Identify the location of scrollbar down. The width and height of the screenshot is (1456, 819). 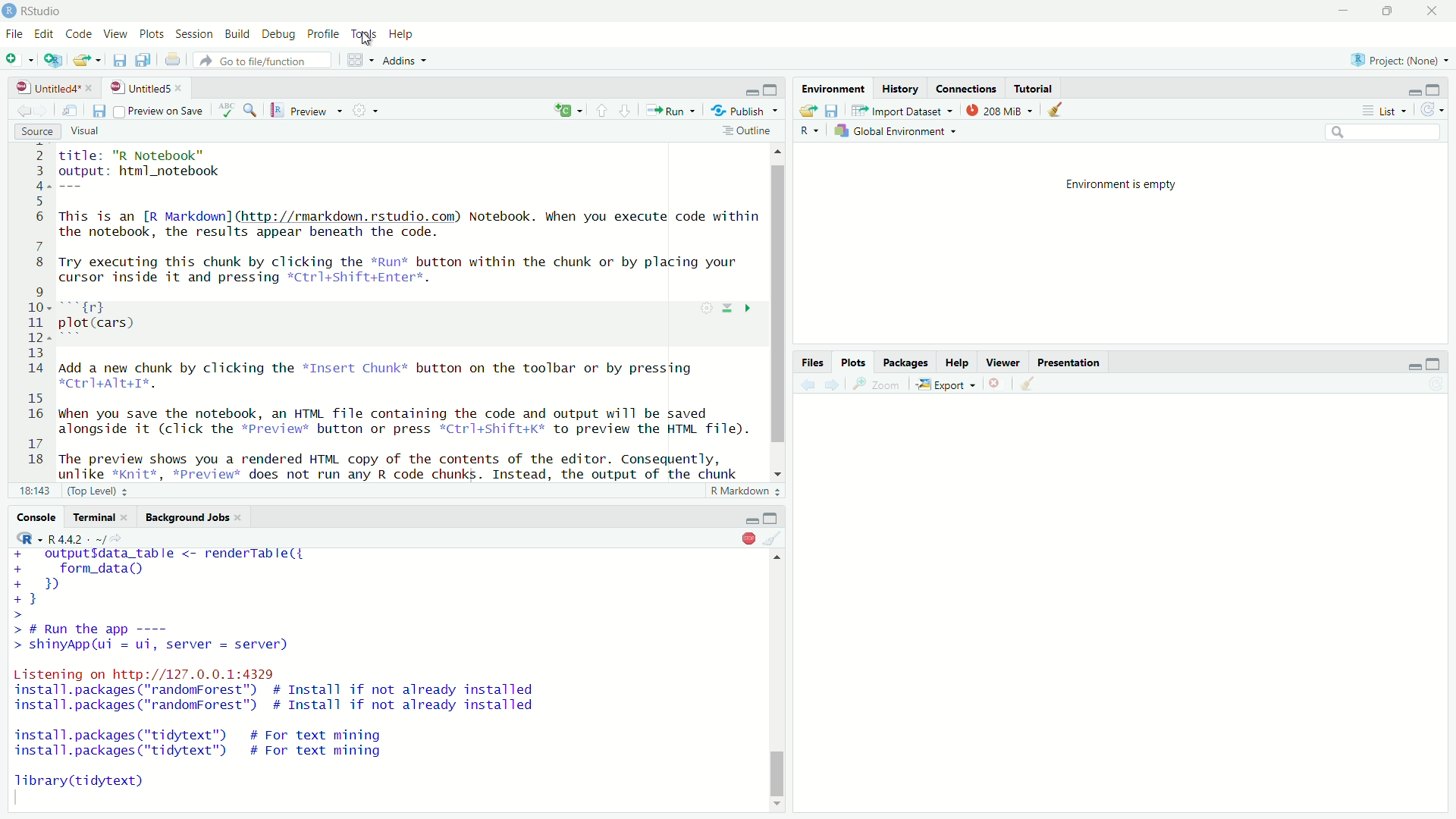
(777, 470).